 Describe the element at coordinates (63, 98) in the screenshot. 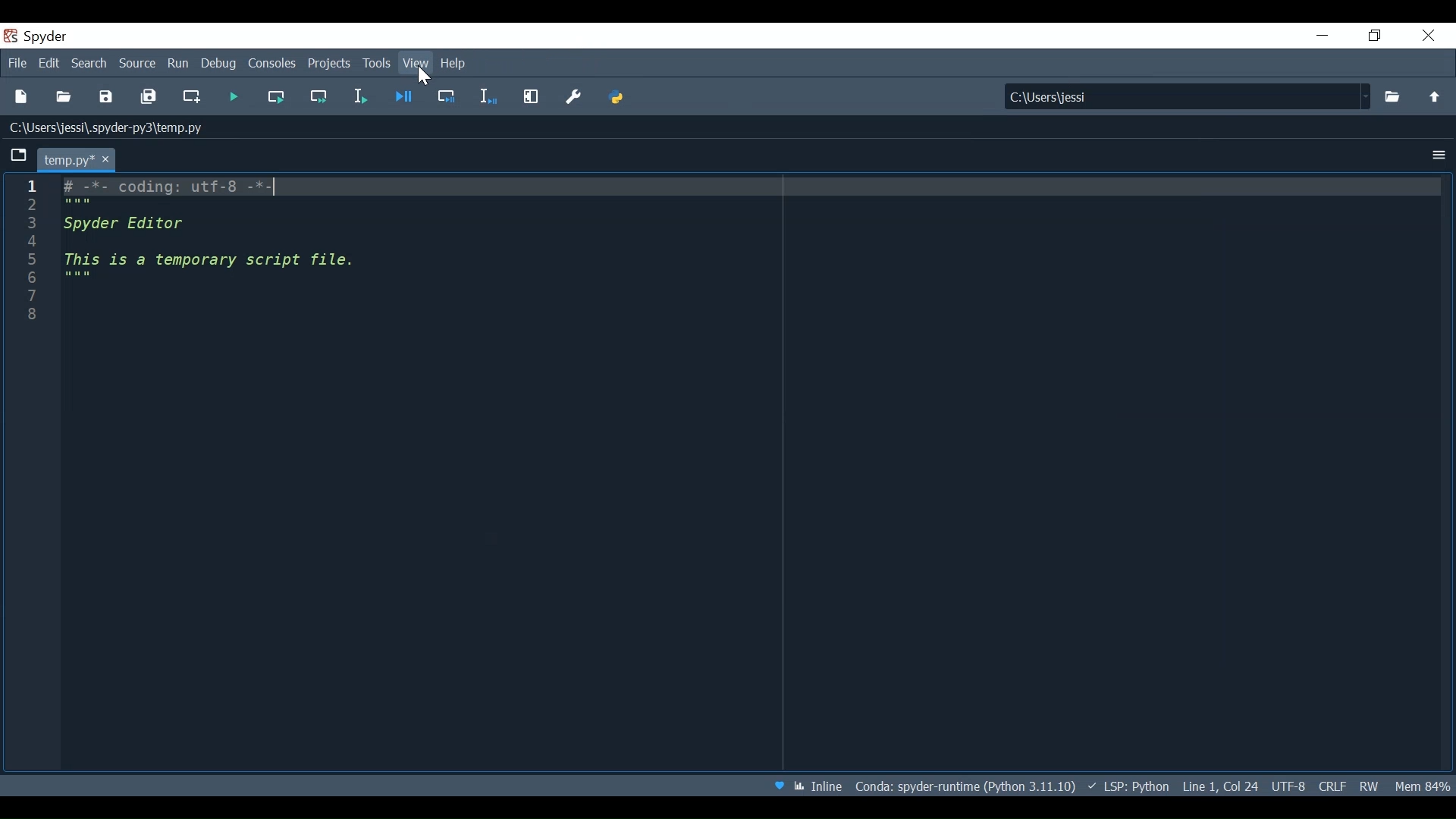

I see `Open File` at that location.